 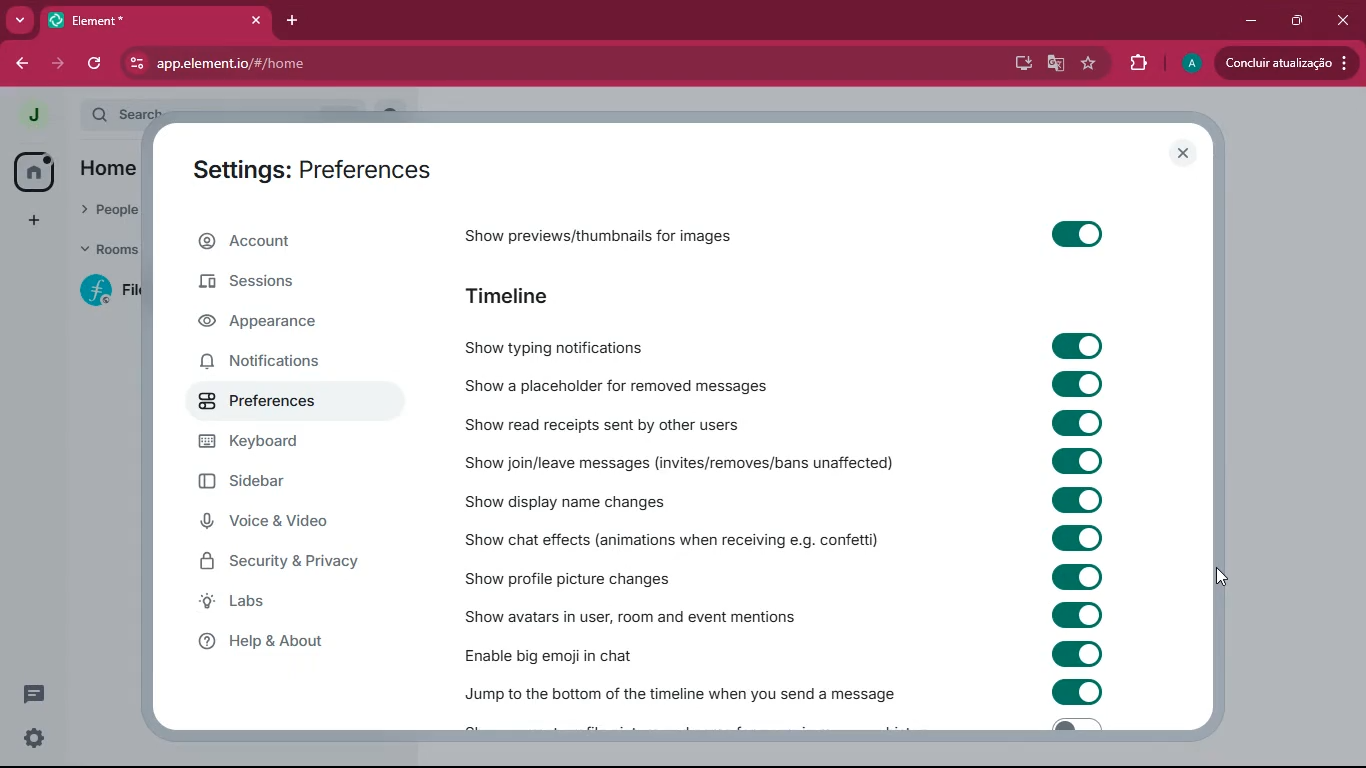 I want to click on conversation, so click(x=34, y=693).